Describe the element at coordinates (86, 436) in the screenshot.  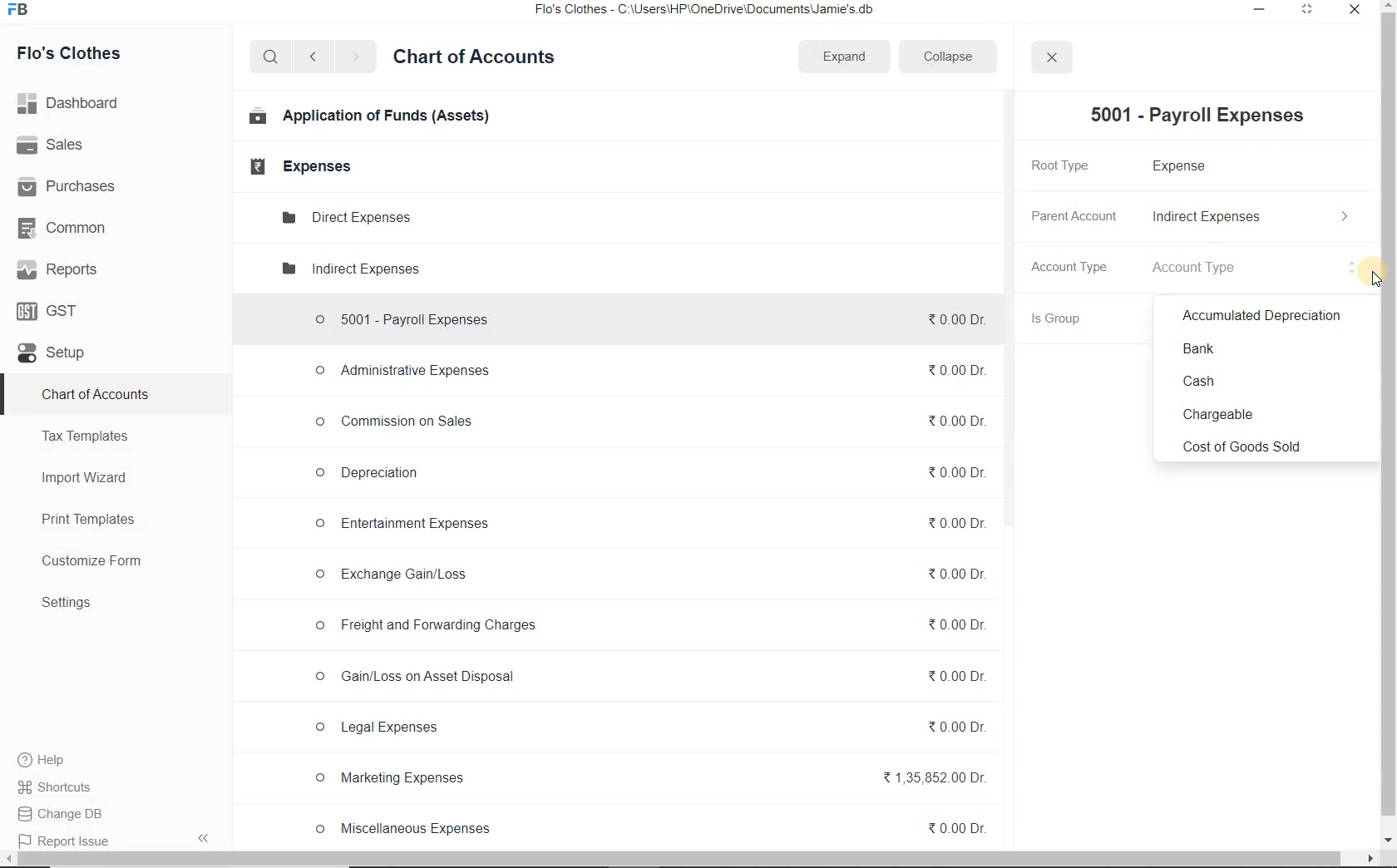
I see `Tax Templates` at that location.